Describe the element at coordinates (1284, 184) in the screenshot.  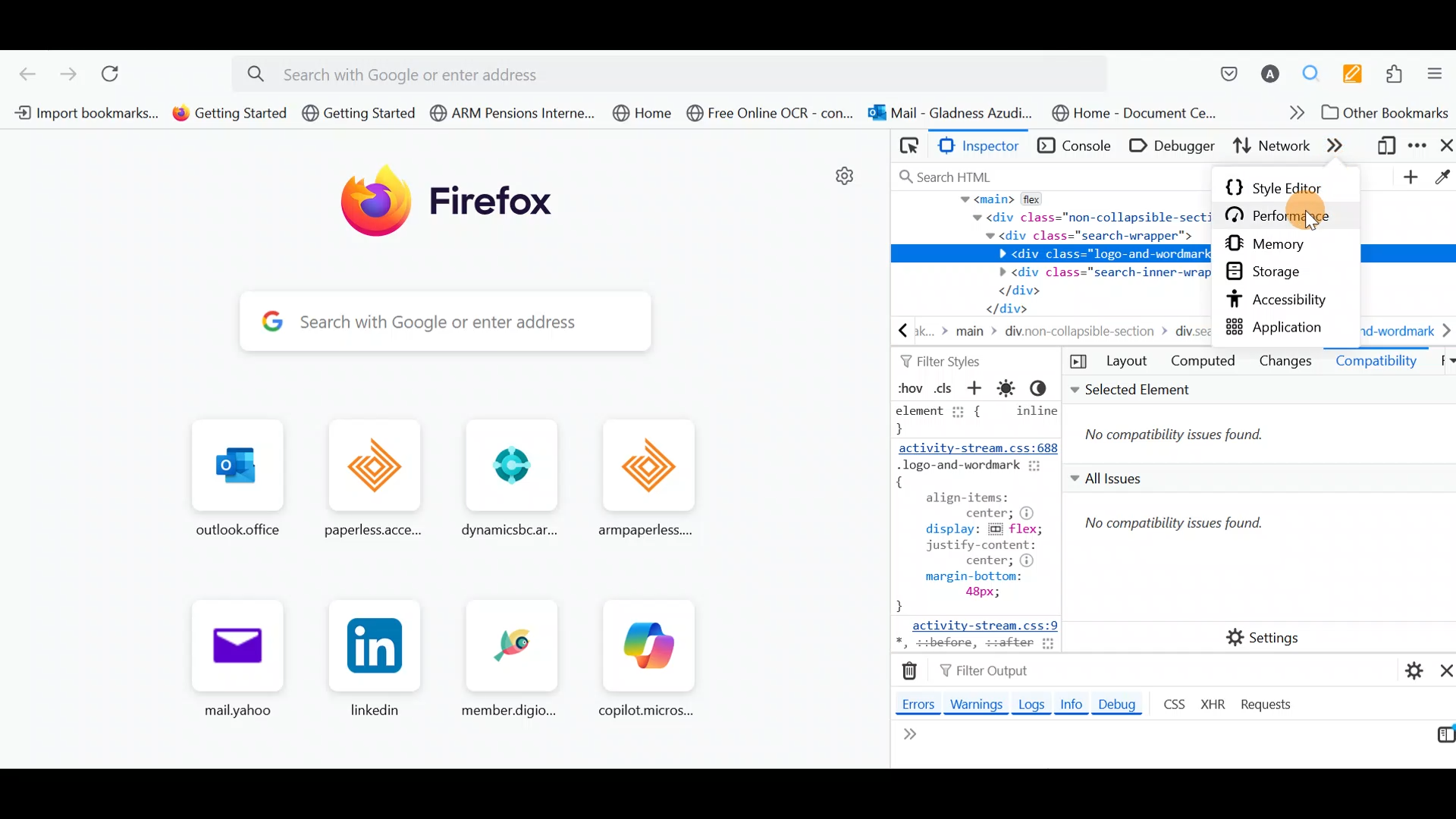
I see `Style editor` at that location.